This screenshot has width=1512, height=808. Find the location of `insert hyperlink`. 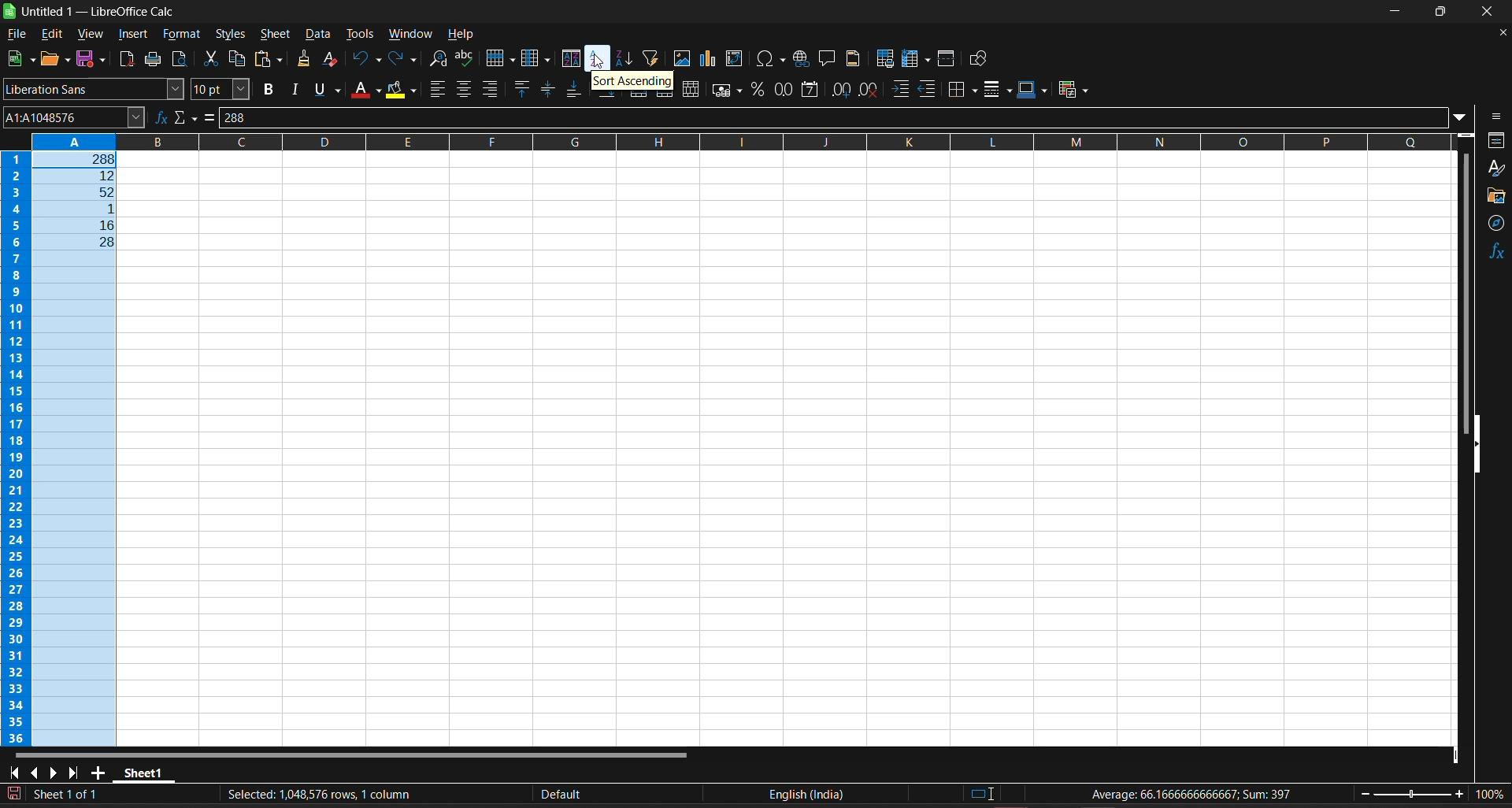

insert hyperlink is located at coordinates (801, 59).